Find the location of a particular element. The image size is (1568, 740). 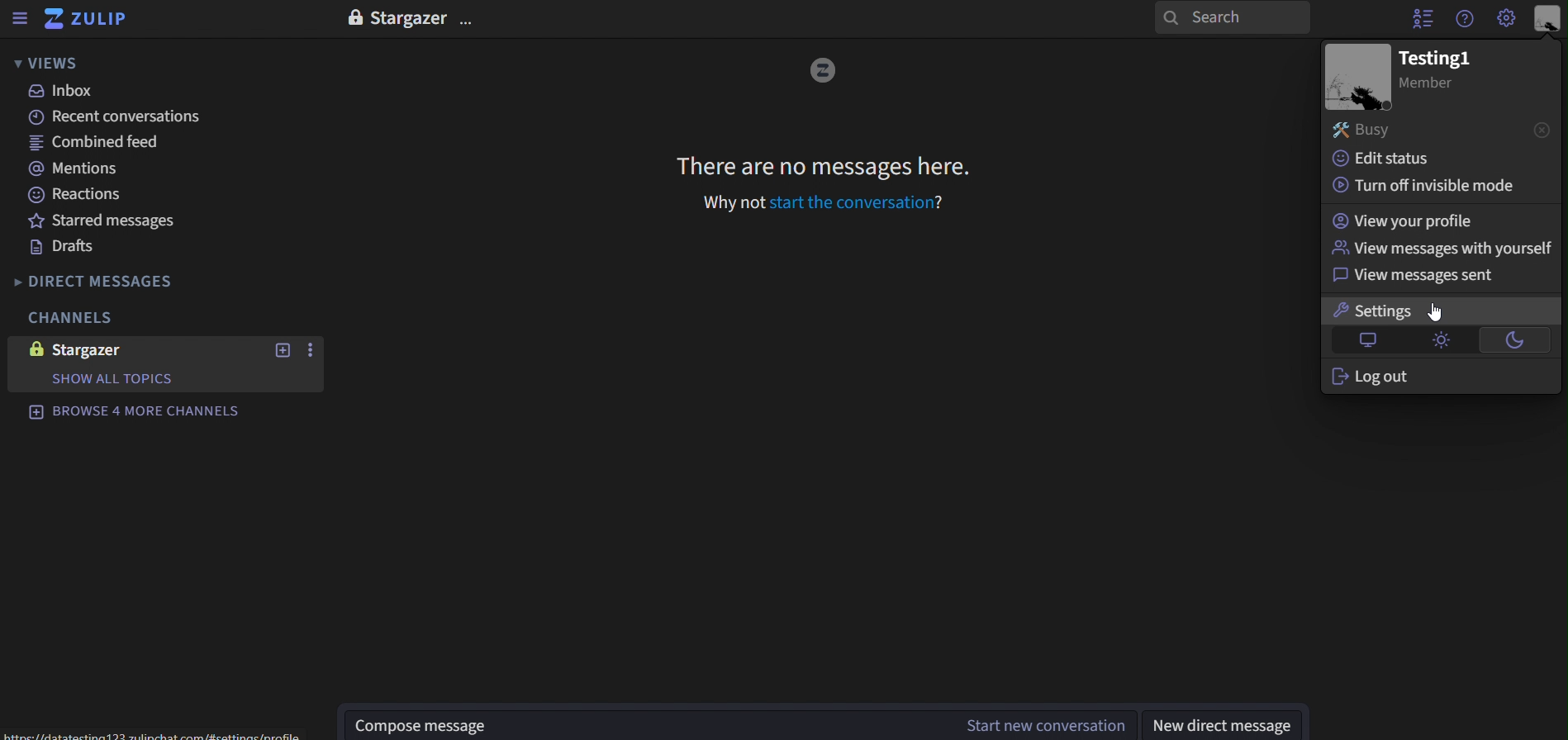

Testing1 is located at coordinates (1433, 58).